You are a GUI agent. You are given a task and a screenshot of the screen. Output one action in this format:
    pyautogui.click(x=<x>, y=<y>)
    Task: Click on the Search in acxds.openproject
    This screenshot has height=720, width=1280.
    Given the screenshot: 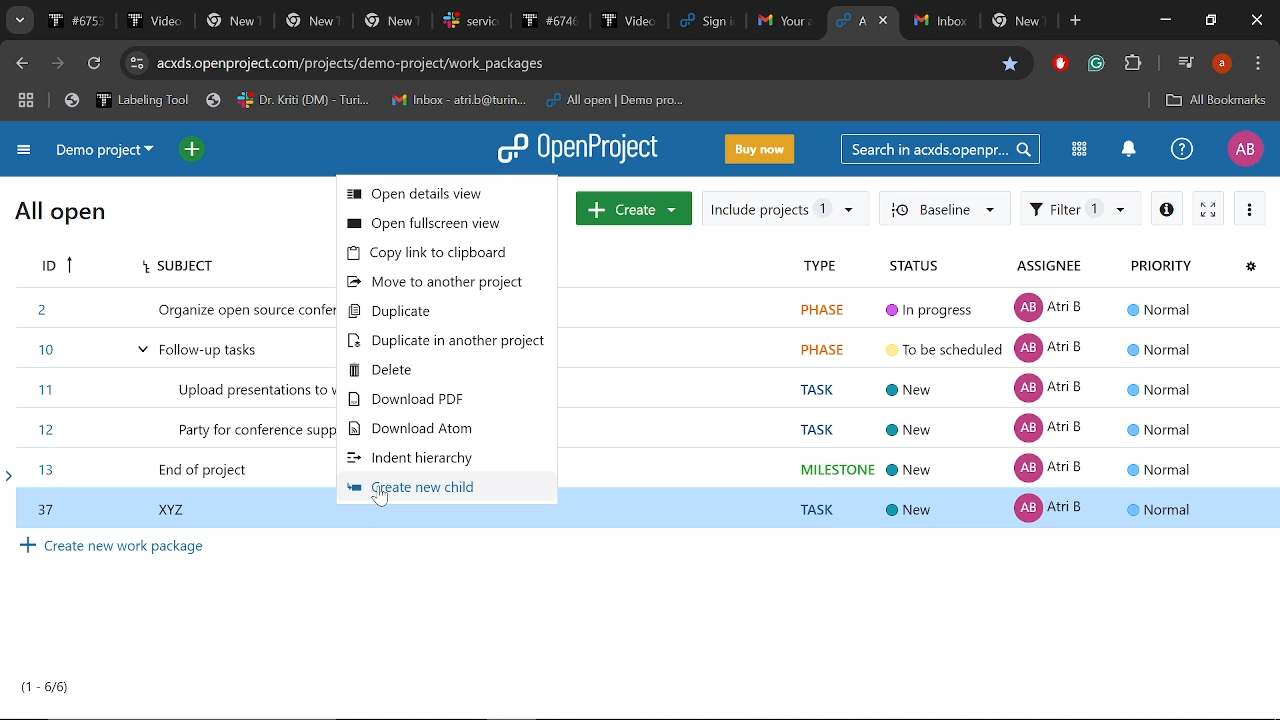 What is the action you would take?
    pyautogui.click(x=938, y=148)
    